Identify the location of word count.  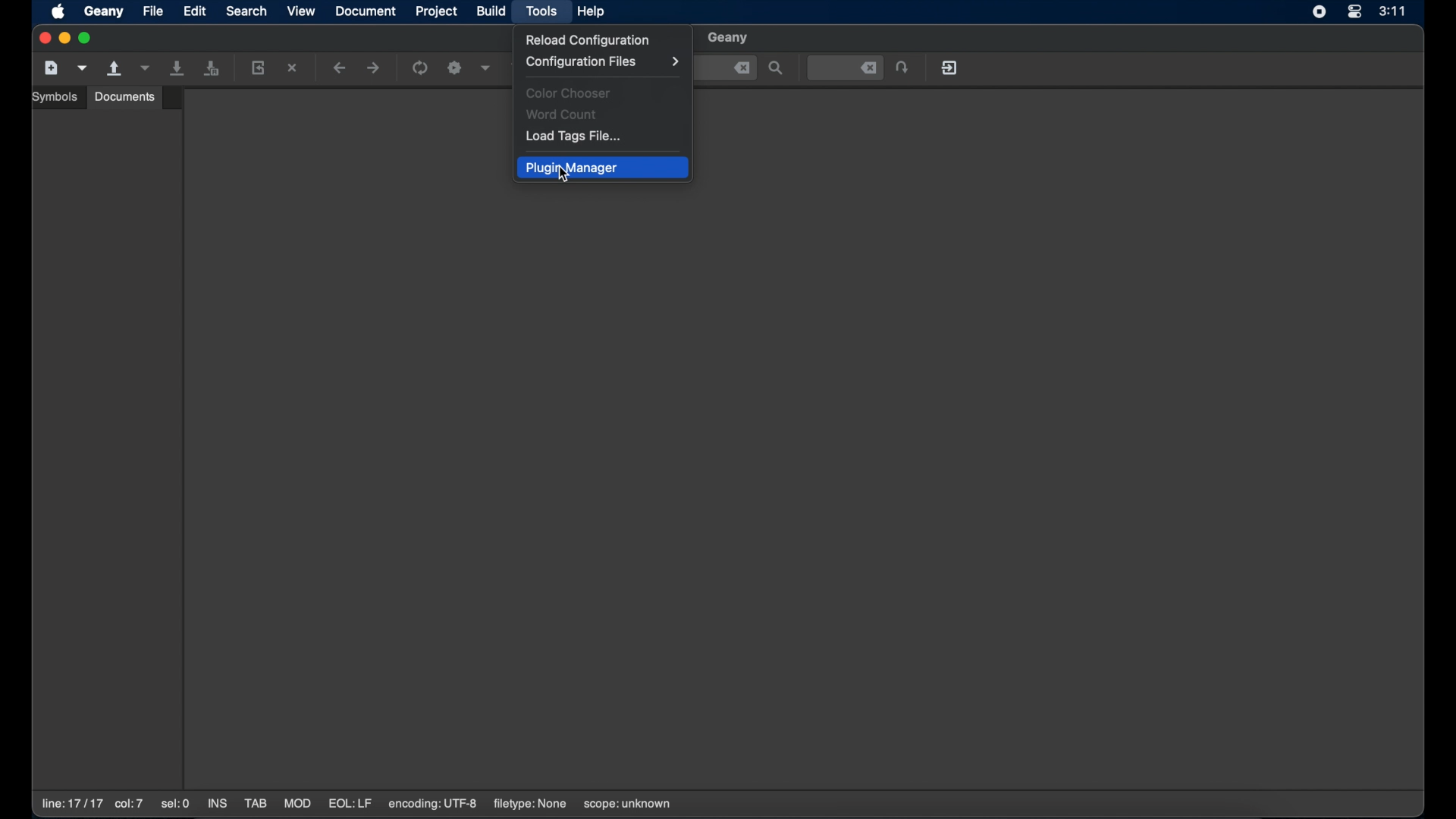
(563, 115).